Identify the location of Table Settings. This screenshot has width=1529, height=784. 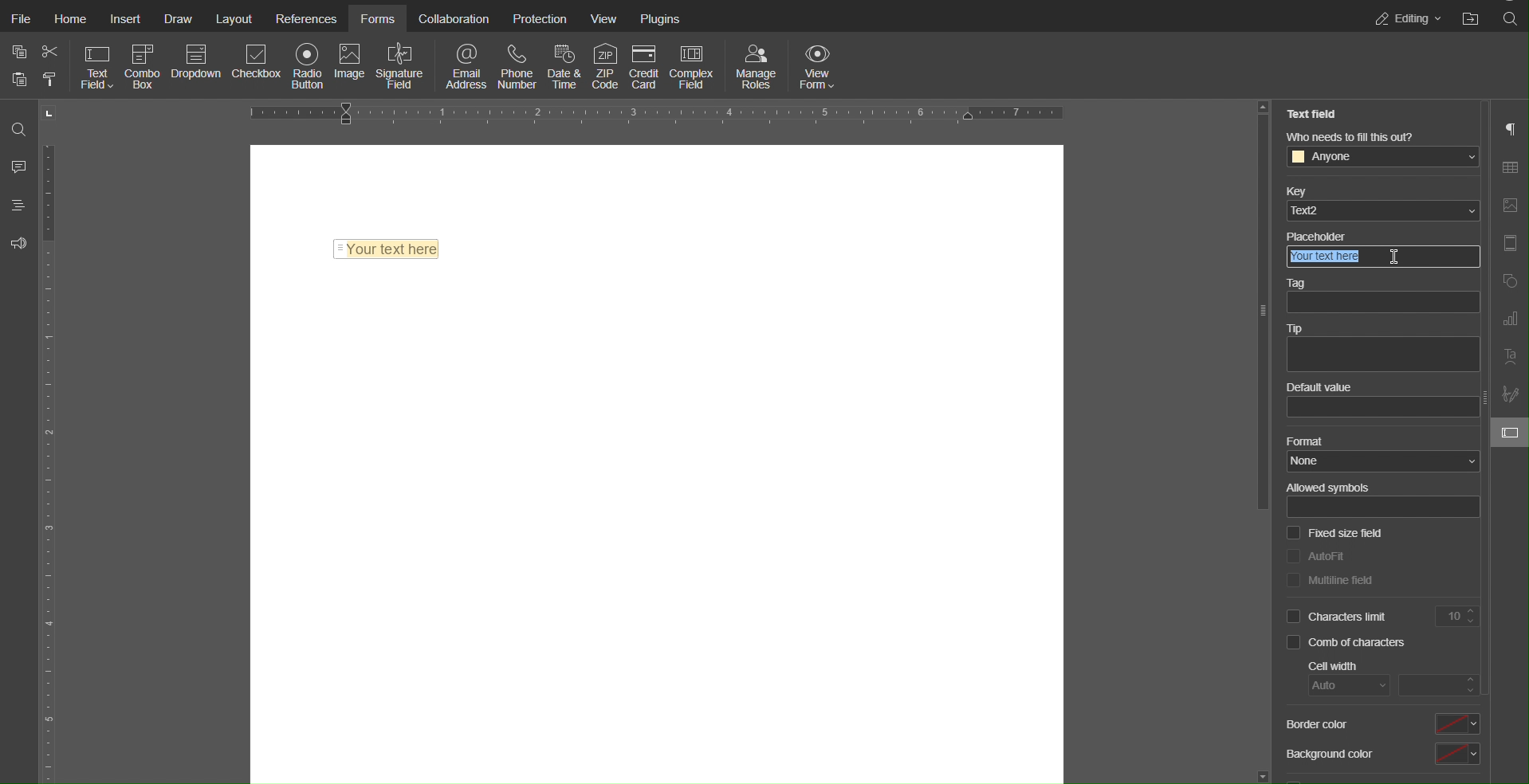
(1508, 167).